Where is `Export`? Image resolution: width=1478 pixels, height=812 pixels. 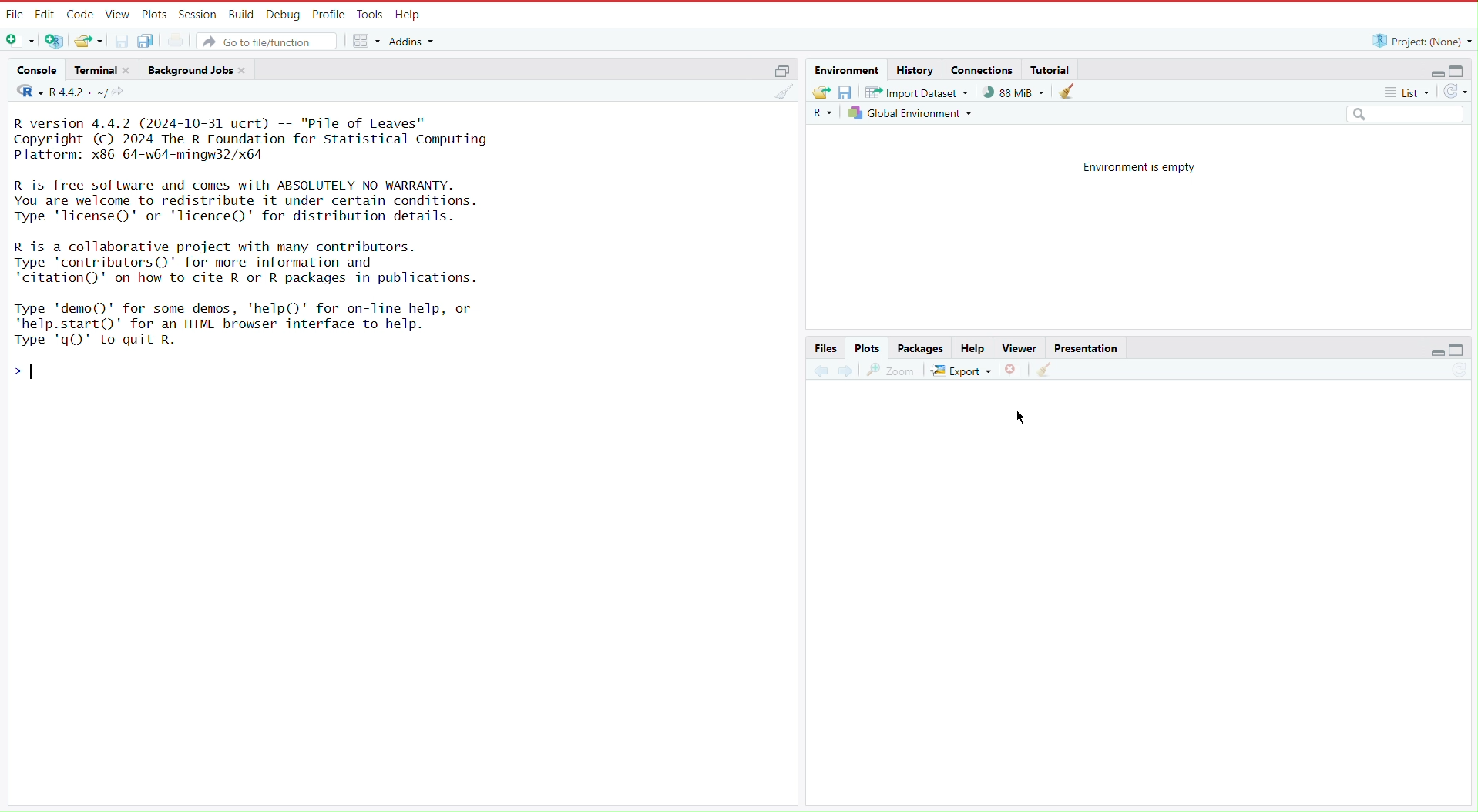
Export is located at coordinates (962, 367).